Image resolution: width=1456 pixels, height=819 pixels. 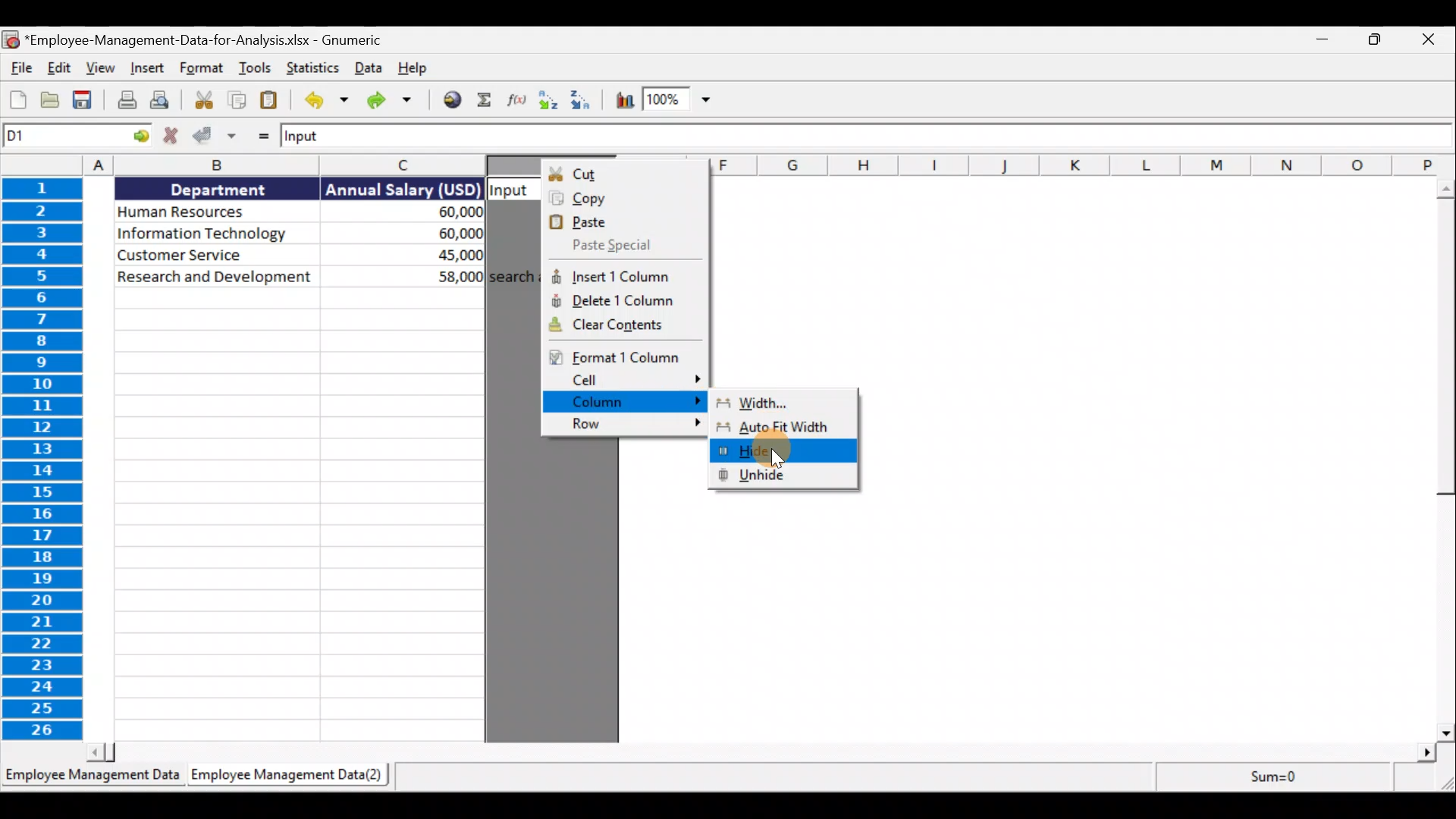 I want to click on Paste, so click(x=624, y=221).